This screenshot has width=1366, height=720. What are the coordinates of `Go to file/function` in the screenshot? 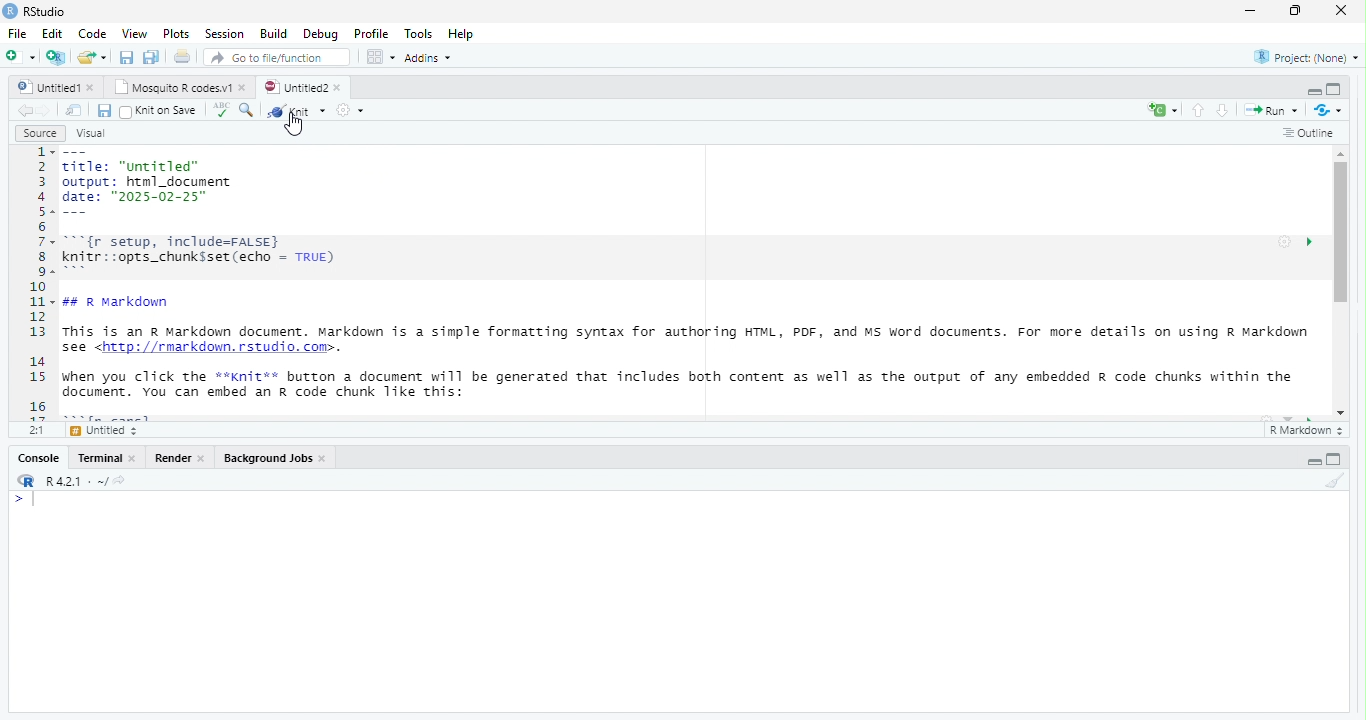 It's located at (278, 57).